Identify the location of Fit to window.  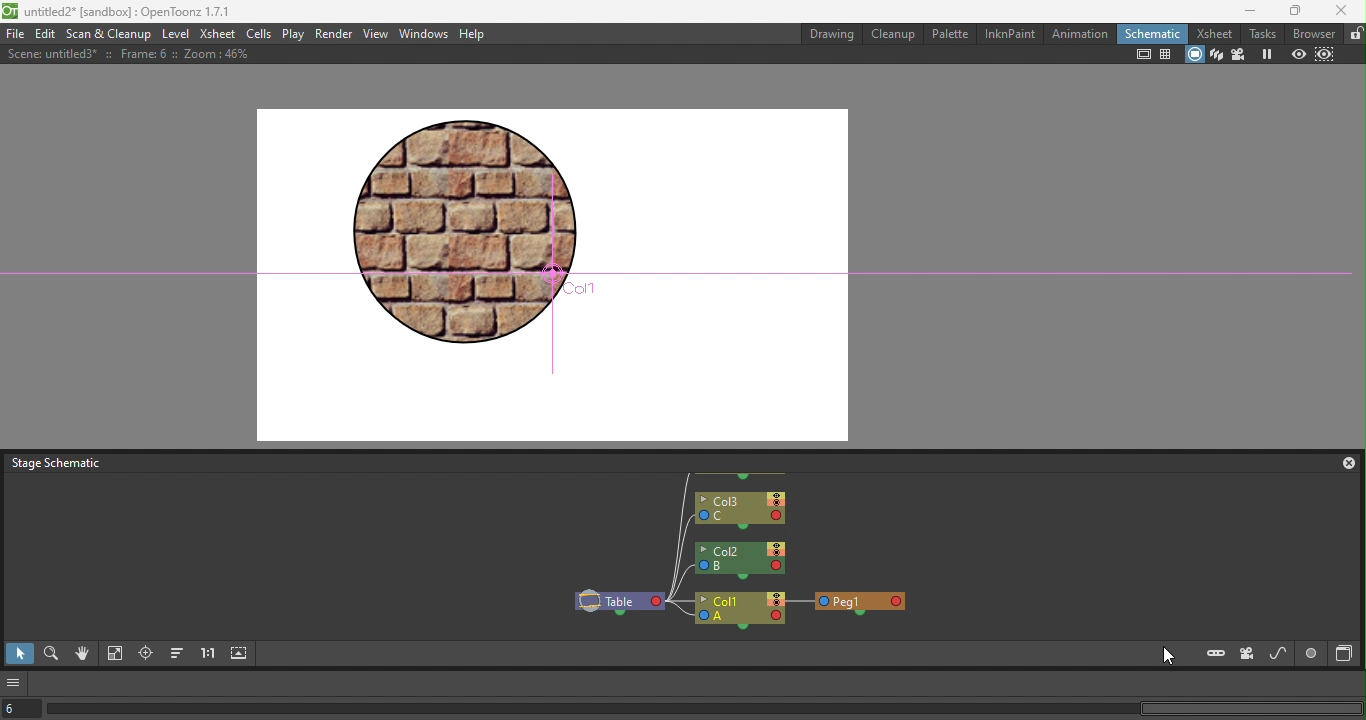
(115, 655).